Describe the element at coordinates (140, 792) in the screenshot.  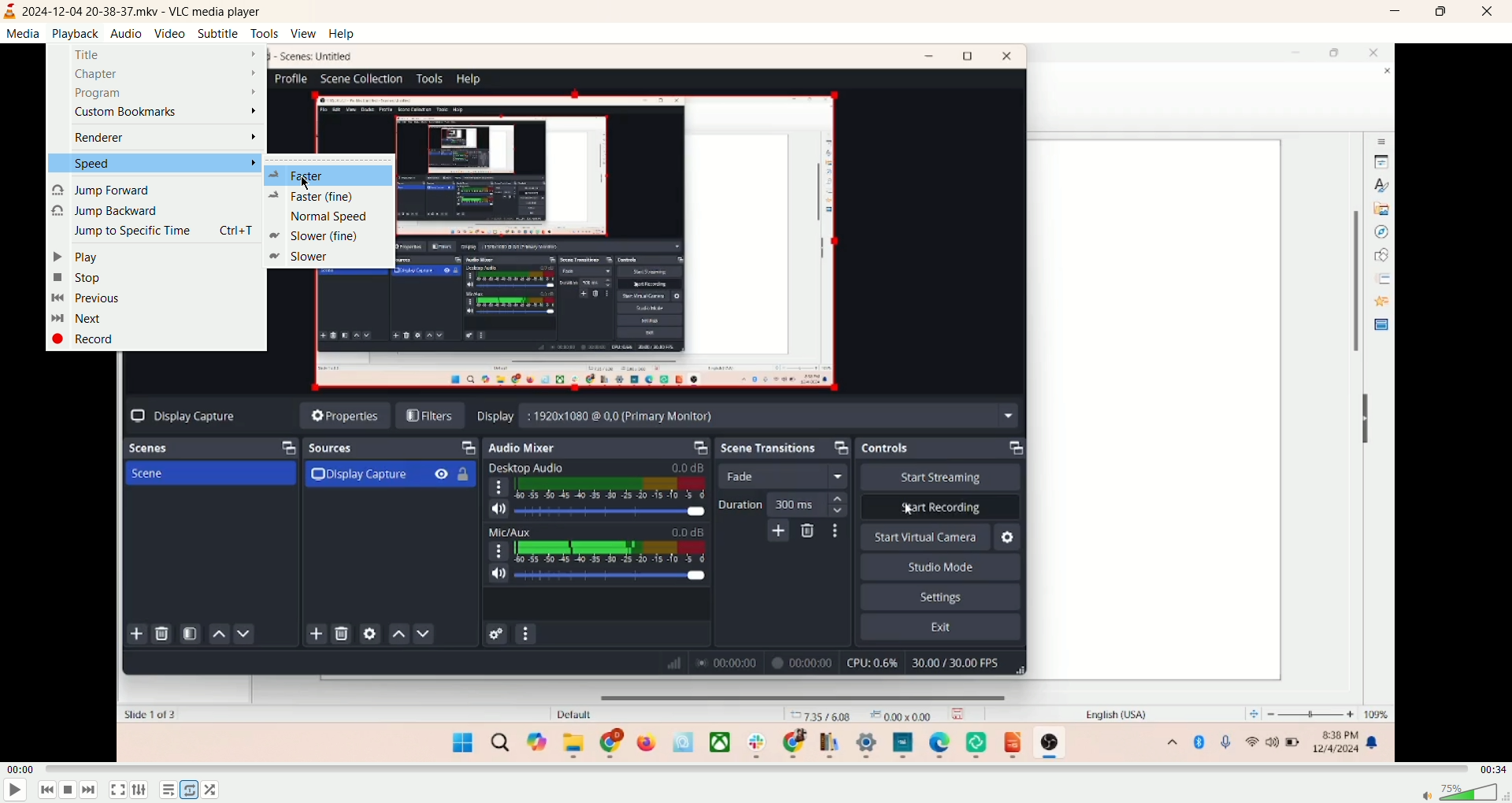
I see `extended settings` at that location.